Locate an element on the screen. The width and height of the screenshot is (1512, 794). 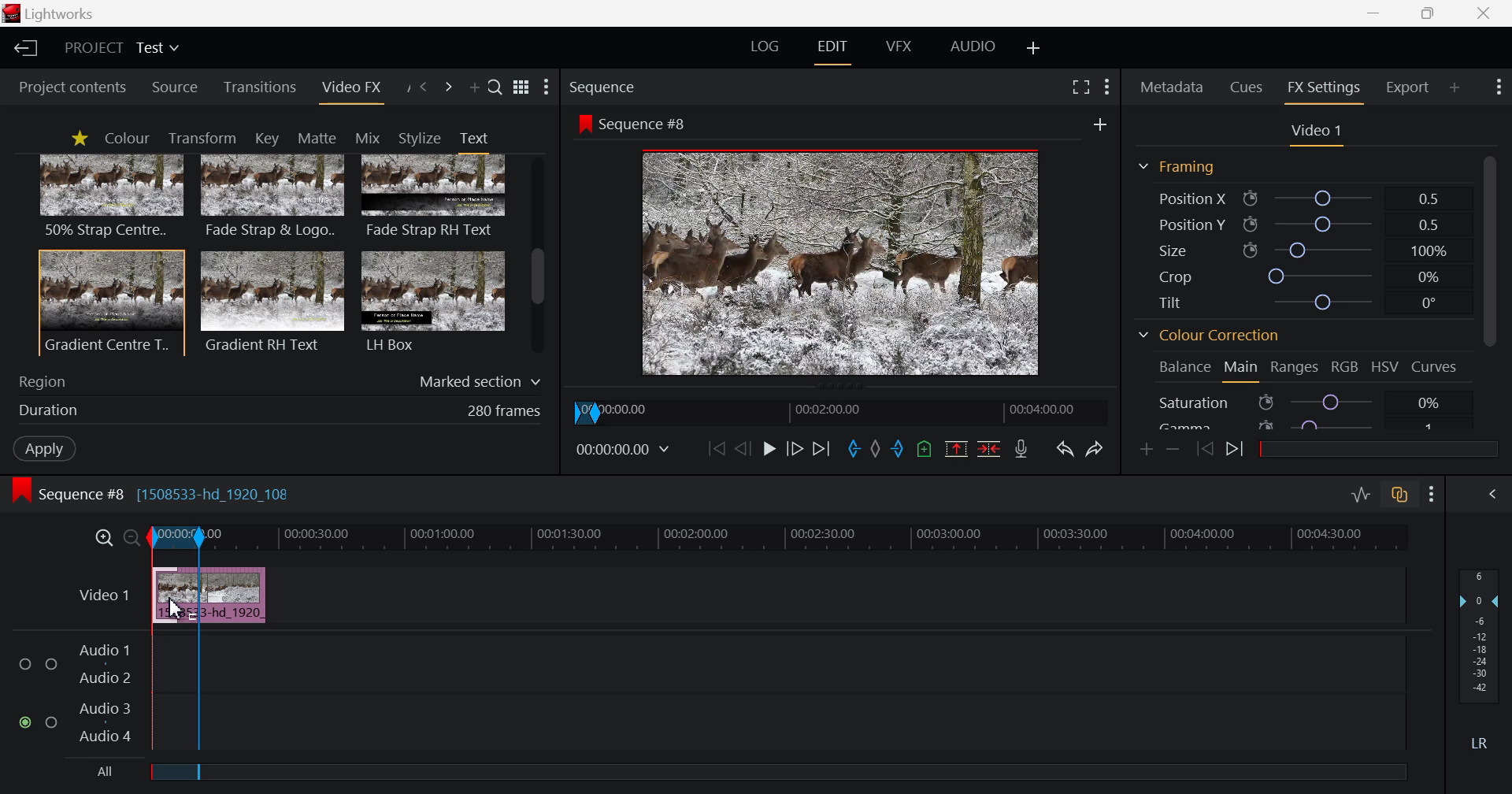
Mark Cue is located at coordinates (925, 450).